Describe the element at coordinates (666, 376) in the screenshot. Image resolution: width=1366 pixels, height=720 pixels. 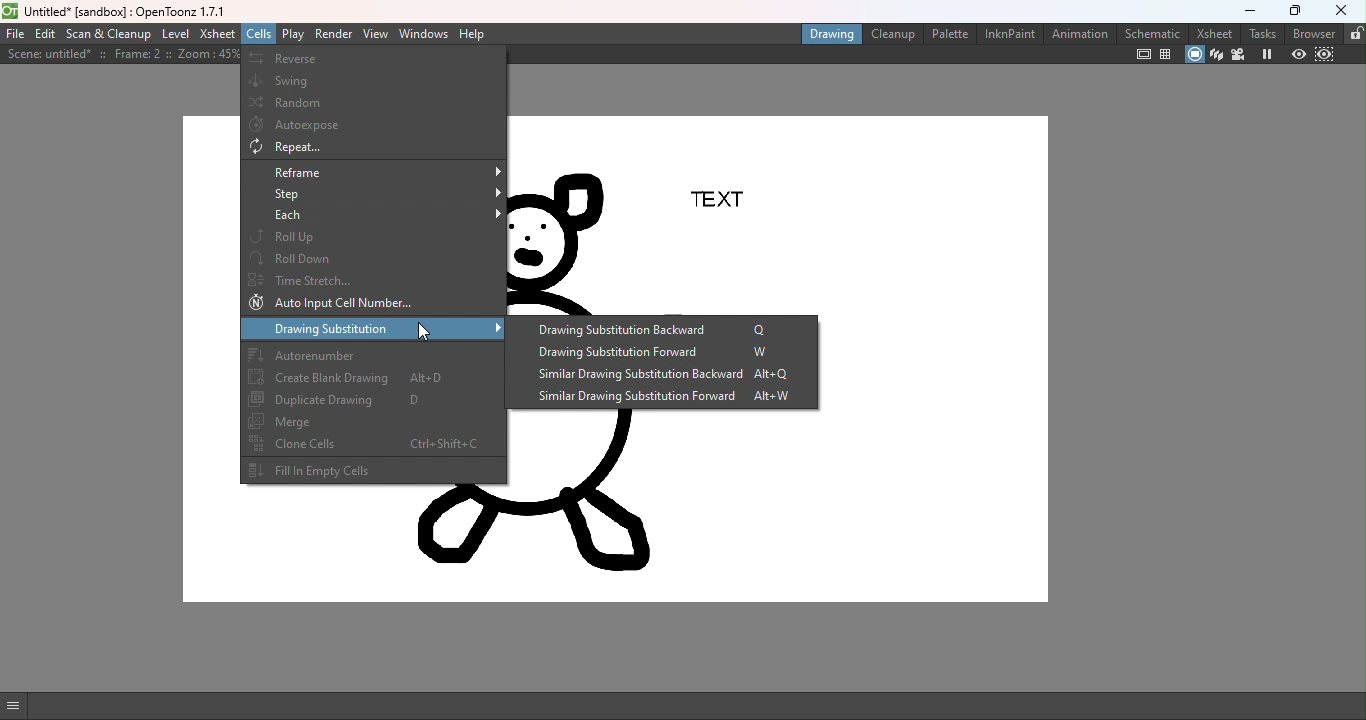
I see `Similar drawing substitution backward` at that location.